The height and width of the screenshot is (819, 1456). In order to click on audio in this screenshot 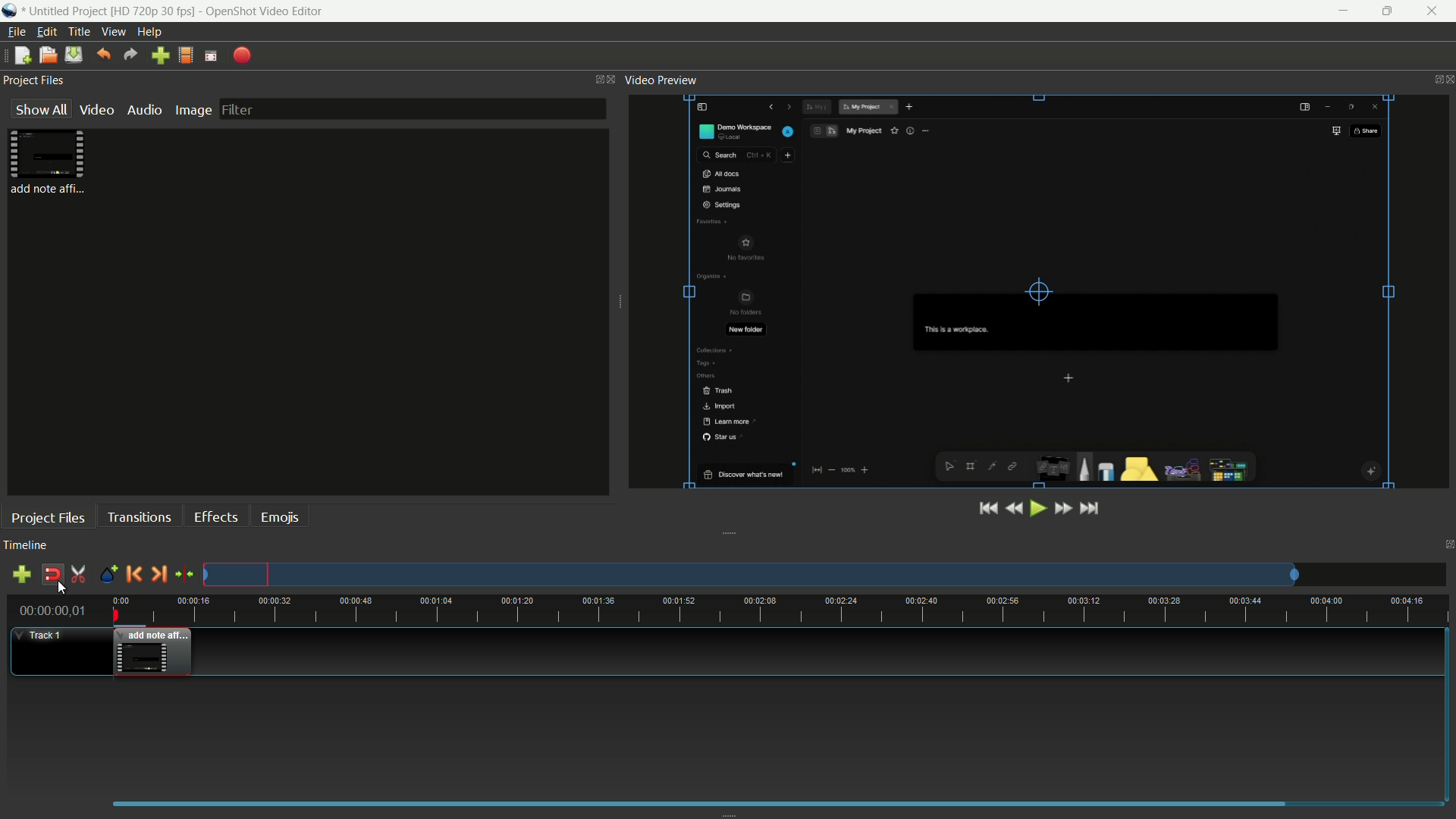, I will do `click(143, 111)`.